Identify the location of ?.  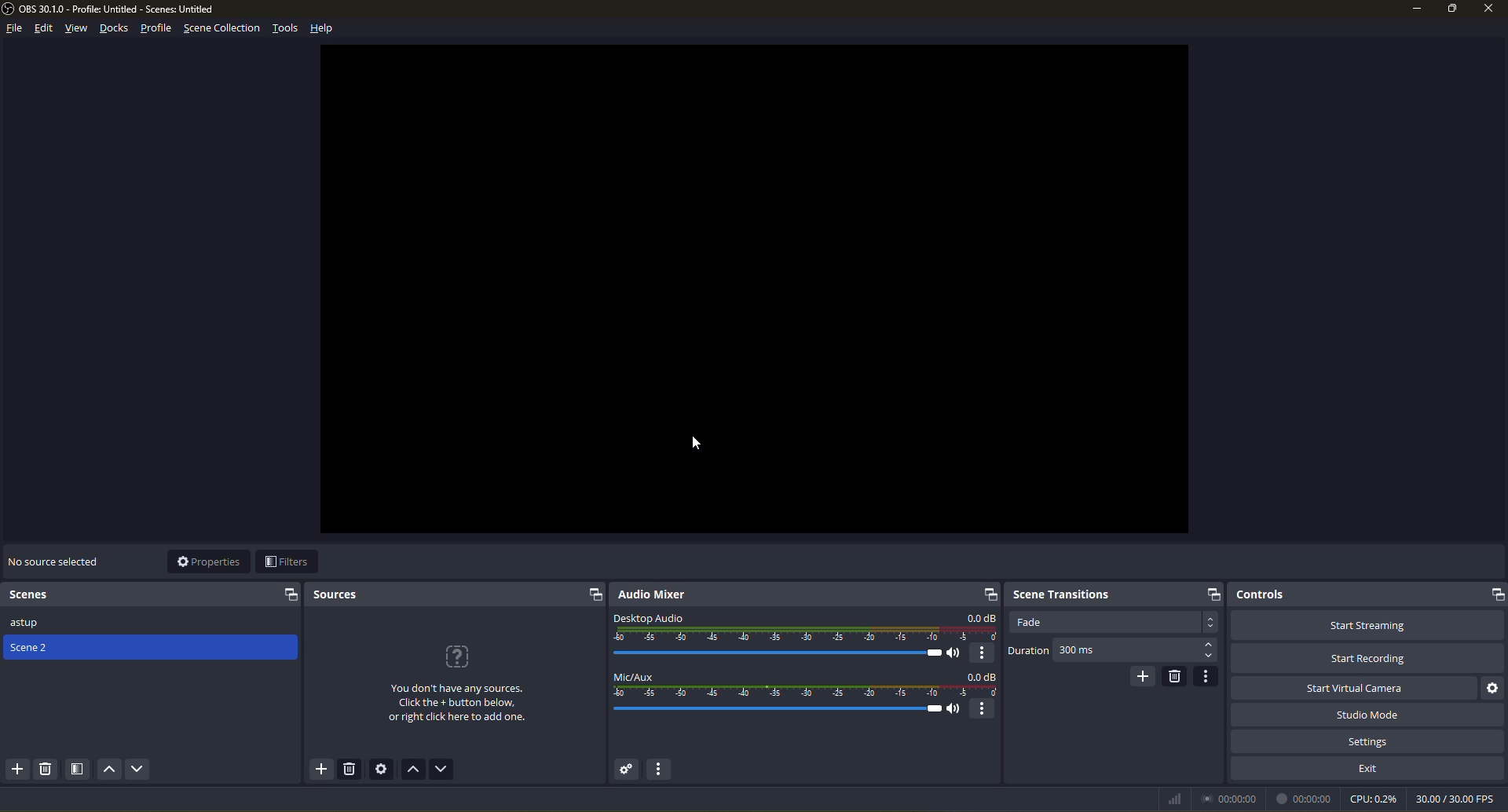
(454, 654).